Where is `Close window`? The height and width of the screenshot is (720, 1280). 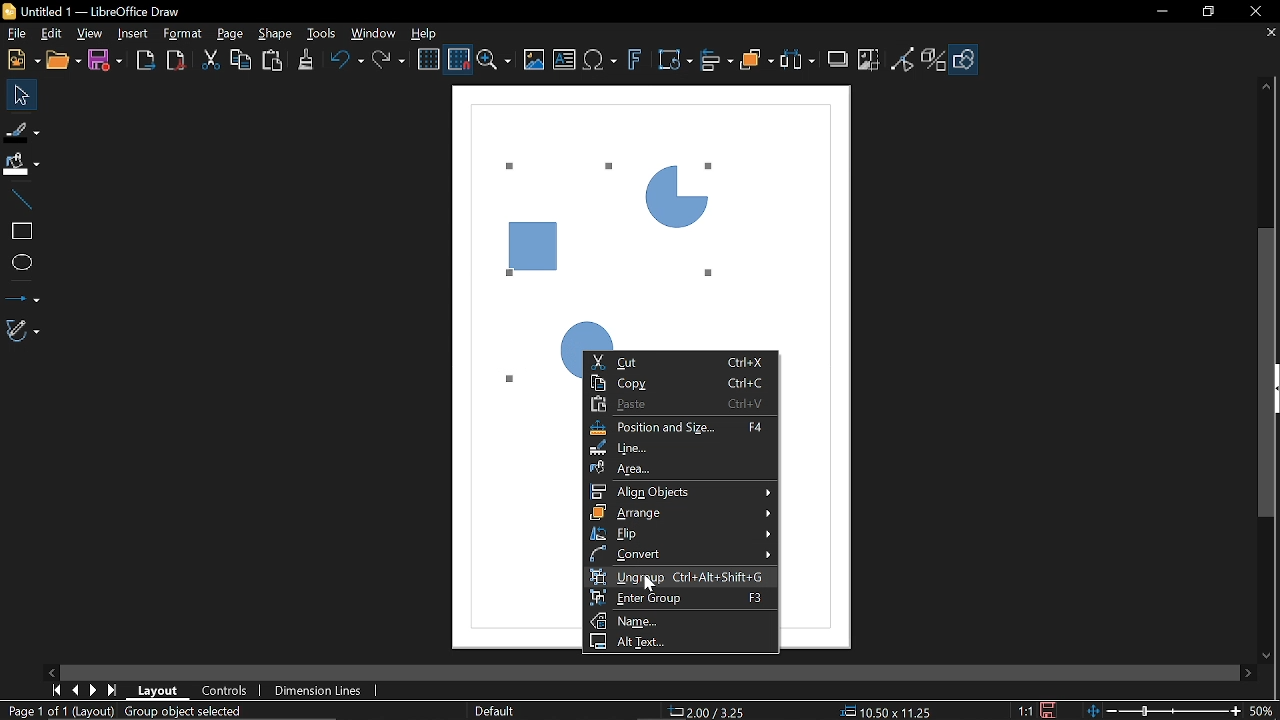
Close window is located at coordinates (1258, 12).